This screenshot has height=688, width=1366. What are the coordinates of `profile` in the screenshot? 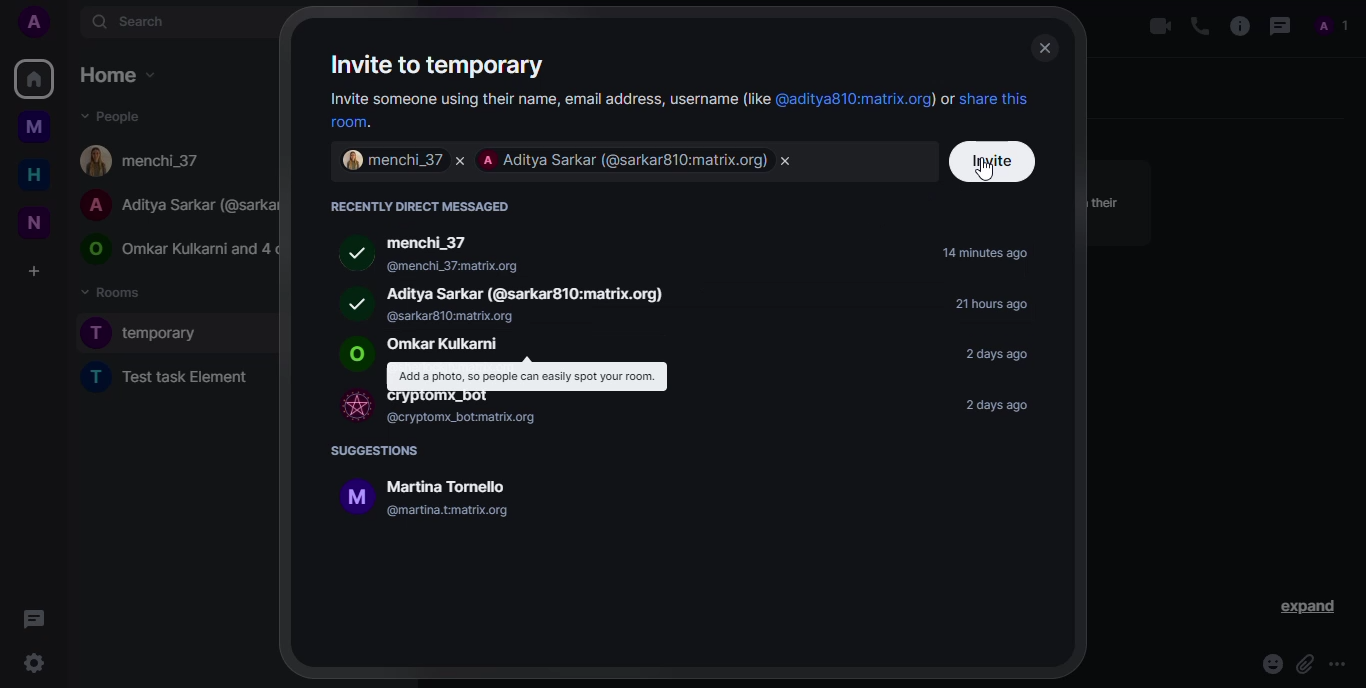 It's located at (33, 21).